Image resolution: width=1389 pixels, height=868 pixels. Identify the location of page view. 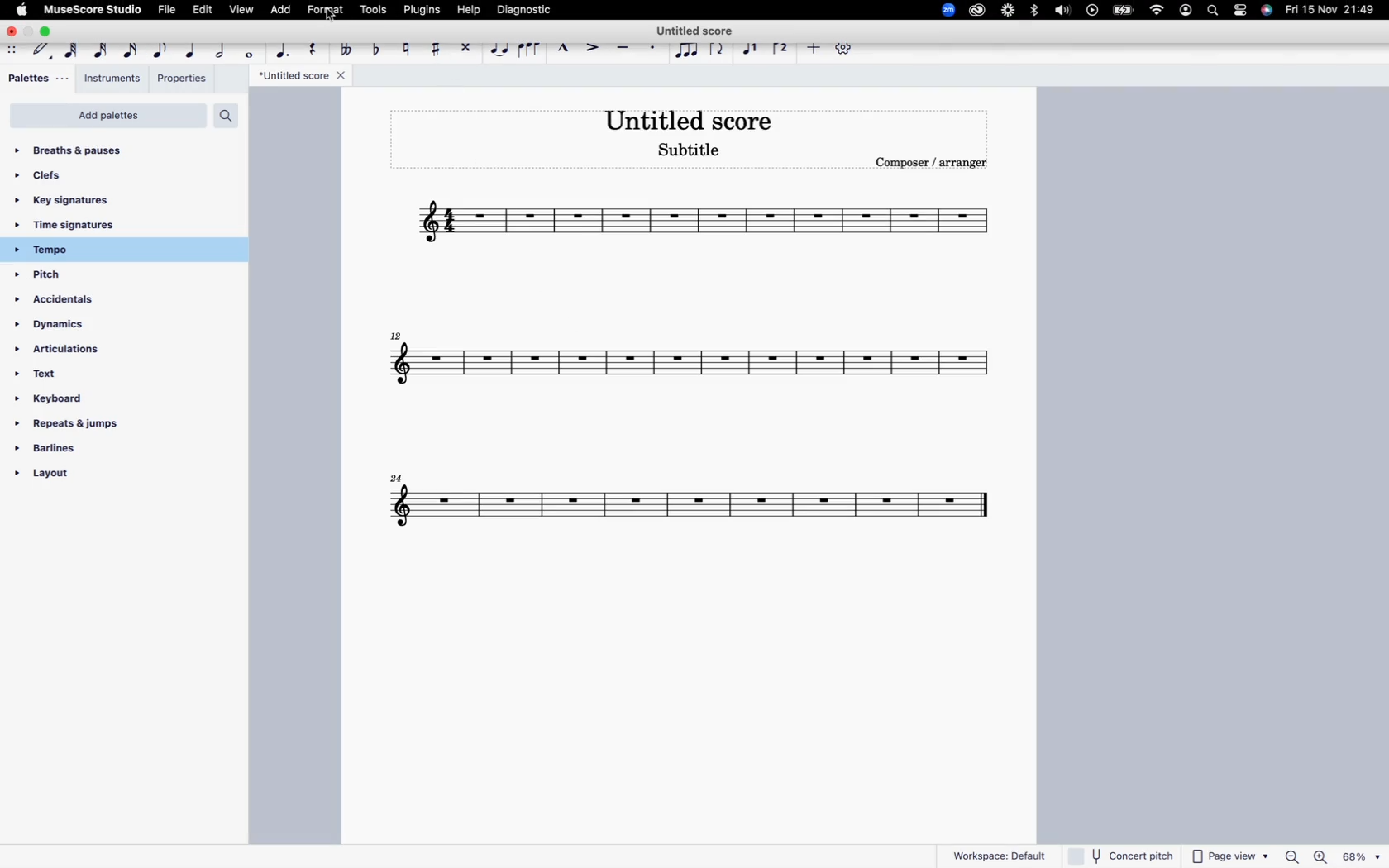
(1229, 856).